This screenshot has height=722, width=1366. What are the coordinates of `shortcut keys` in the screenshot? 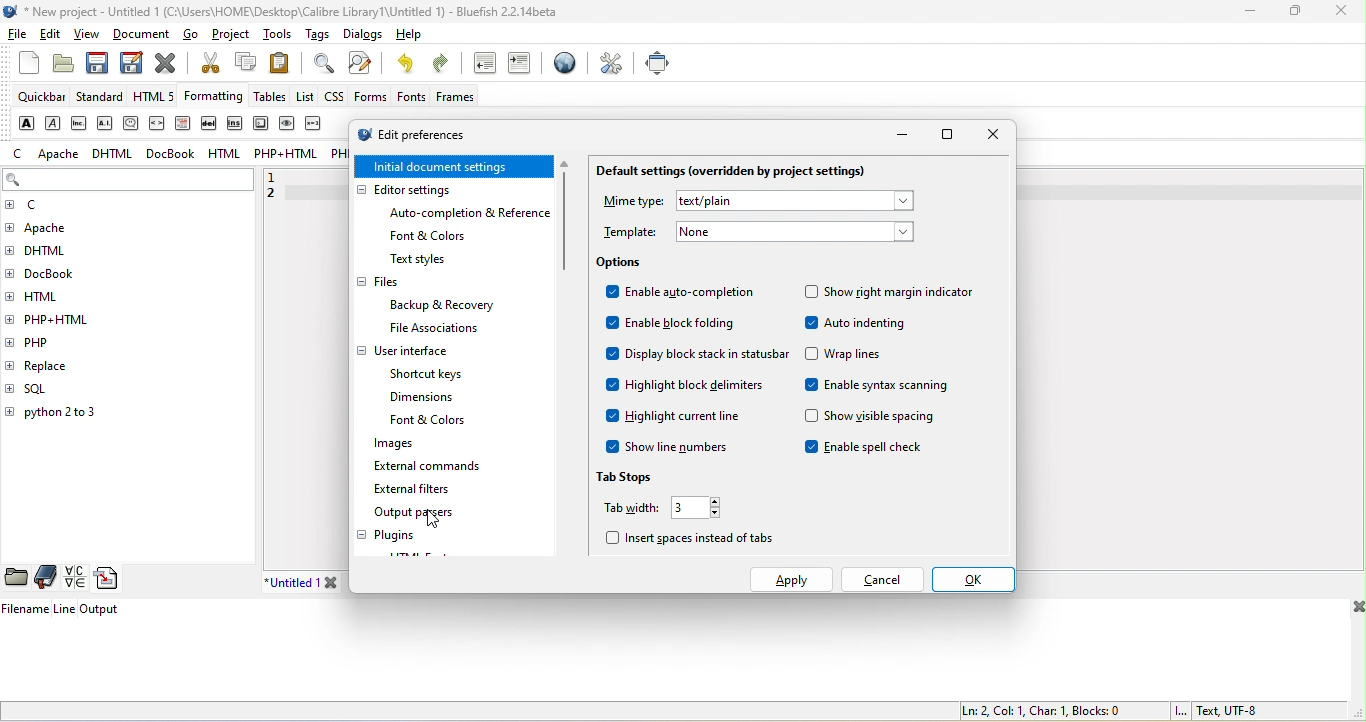 It's located at (433, 374).